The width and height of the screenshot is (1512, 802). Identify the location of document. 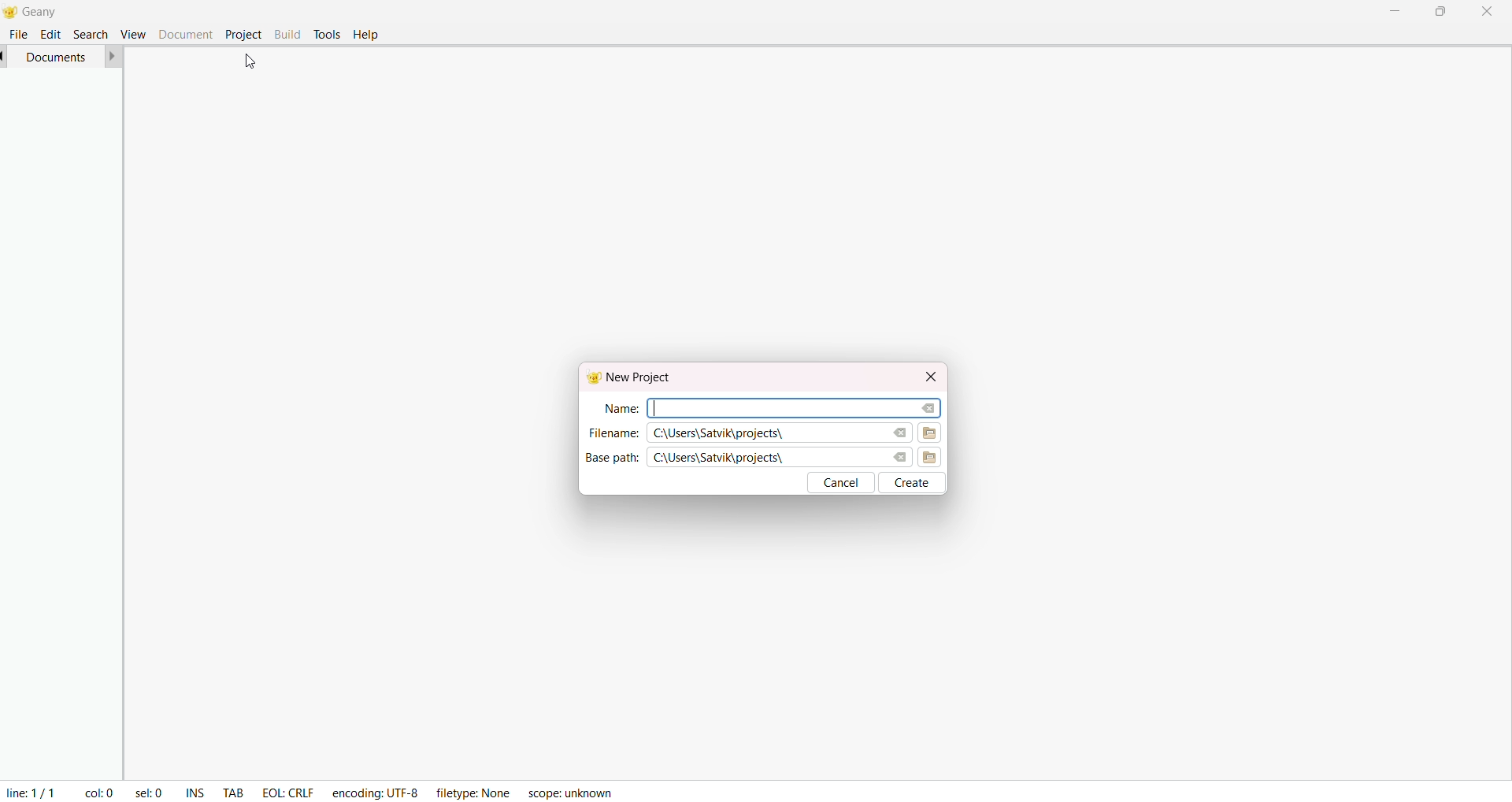
(185, 33).